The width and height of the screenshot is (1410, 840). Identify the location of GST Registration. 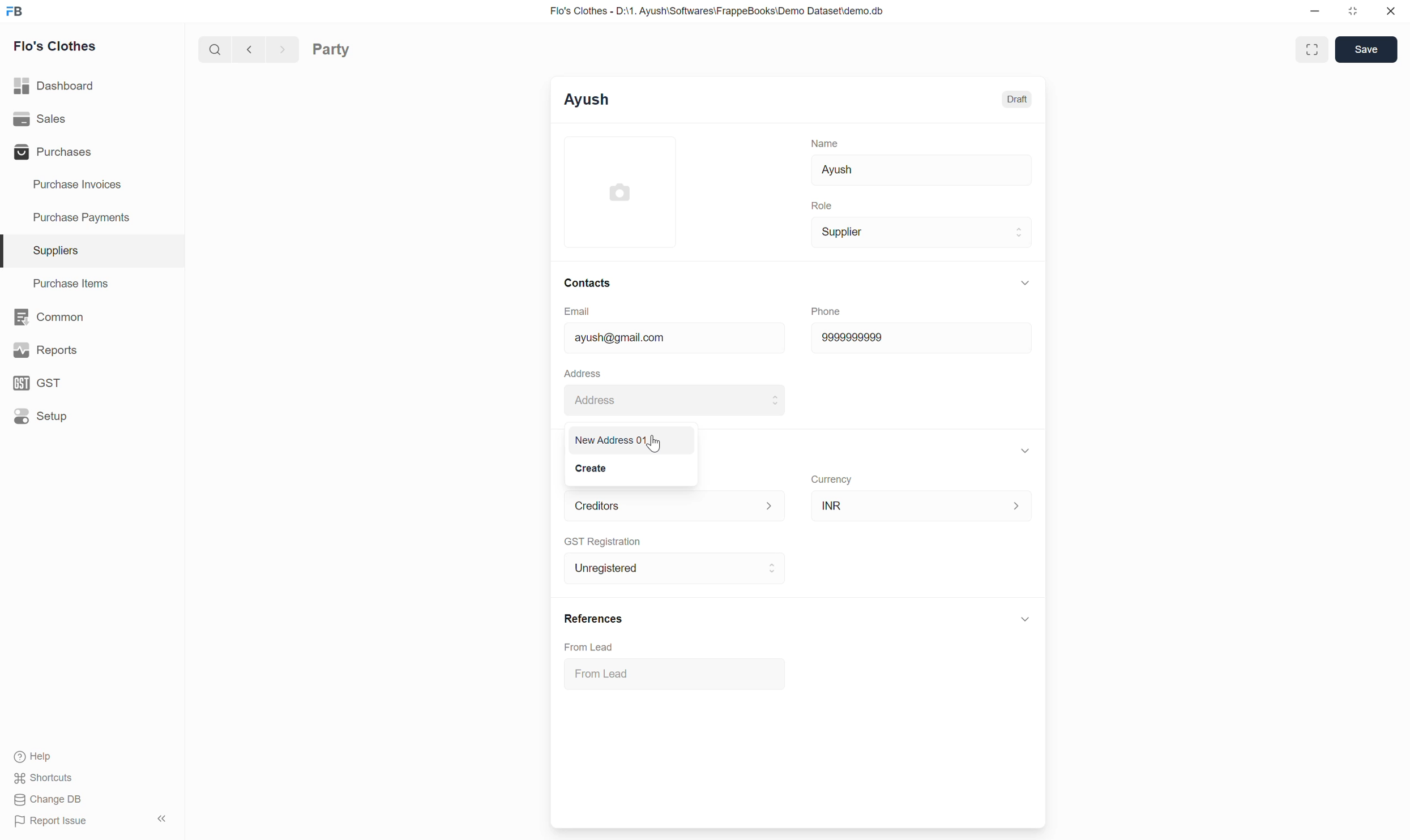
(603, 542).